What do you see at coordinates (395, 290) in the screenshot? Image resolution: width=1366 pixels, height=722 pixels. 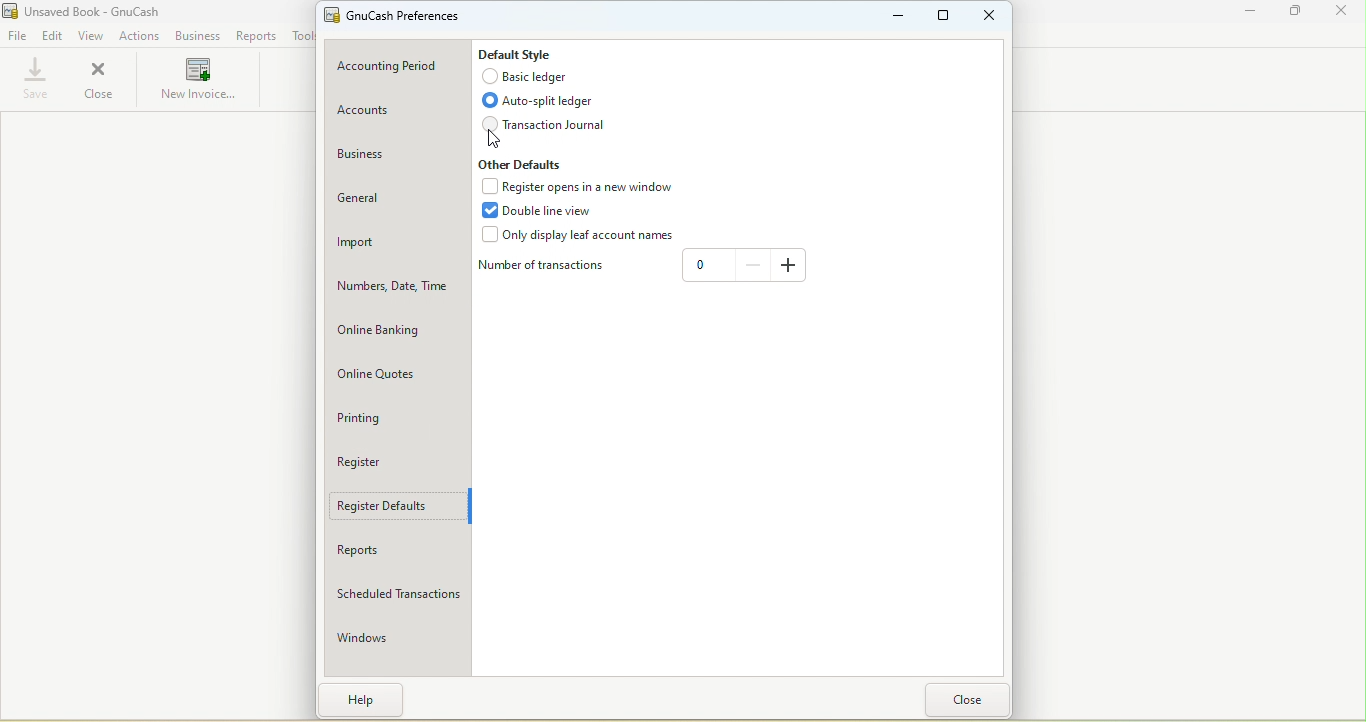 I see `Numbers, Date, Time` at bounding box center [395, 290].